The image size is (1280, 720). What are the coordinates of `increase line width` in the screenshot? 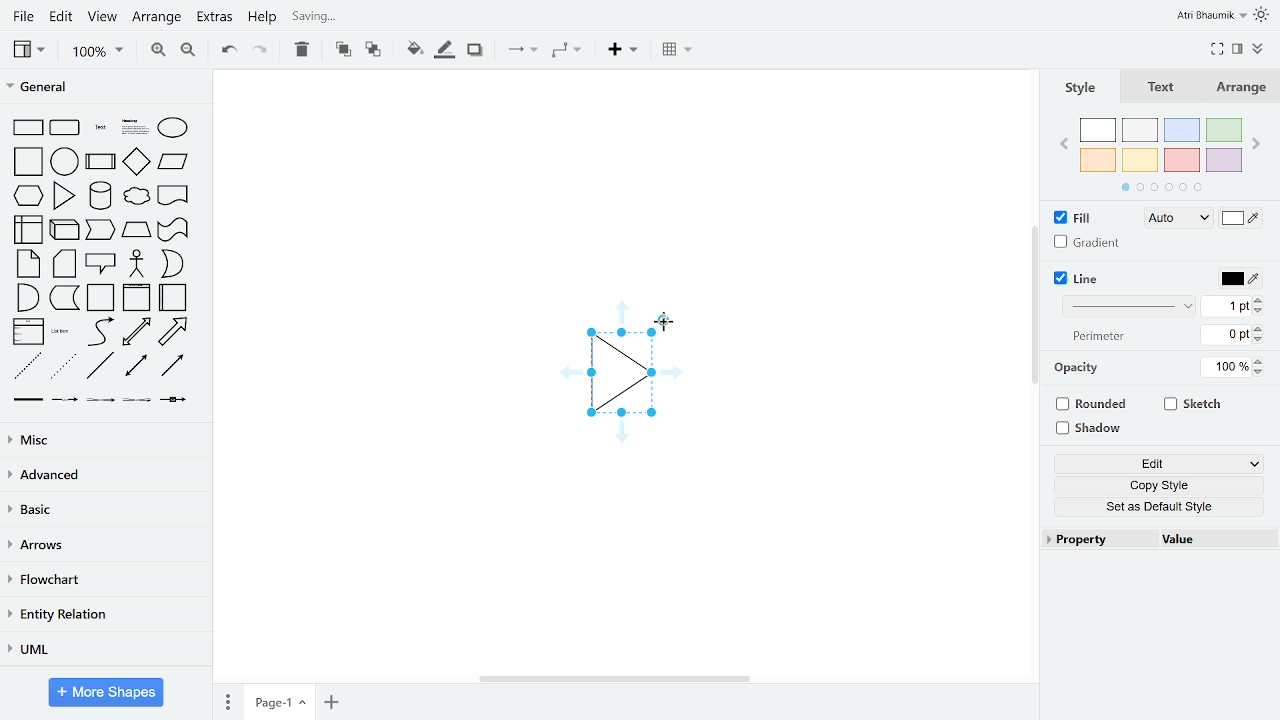 It's located at (1258, 299).